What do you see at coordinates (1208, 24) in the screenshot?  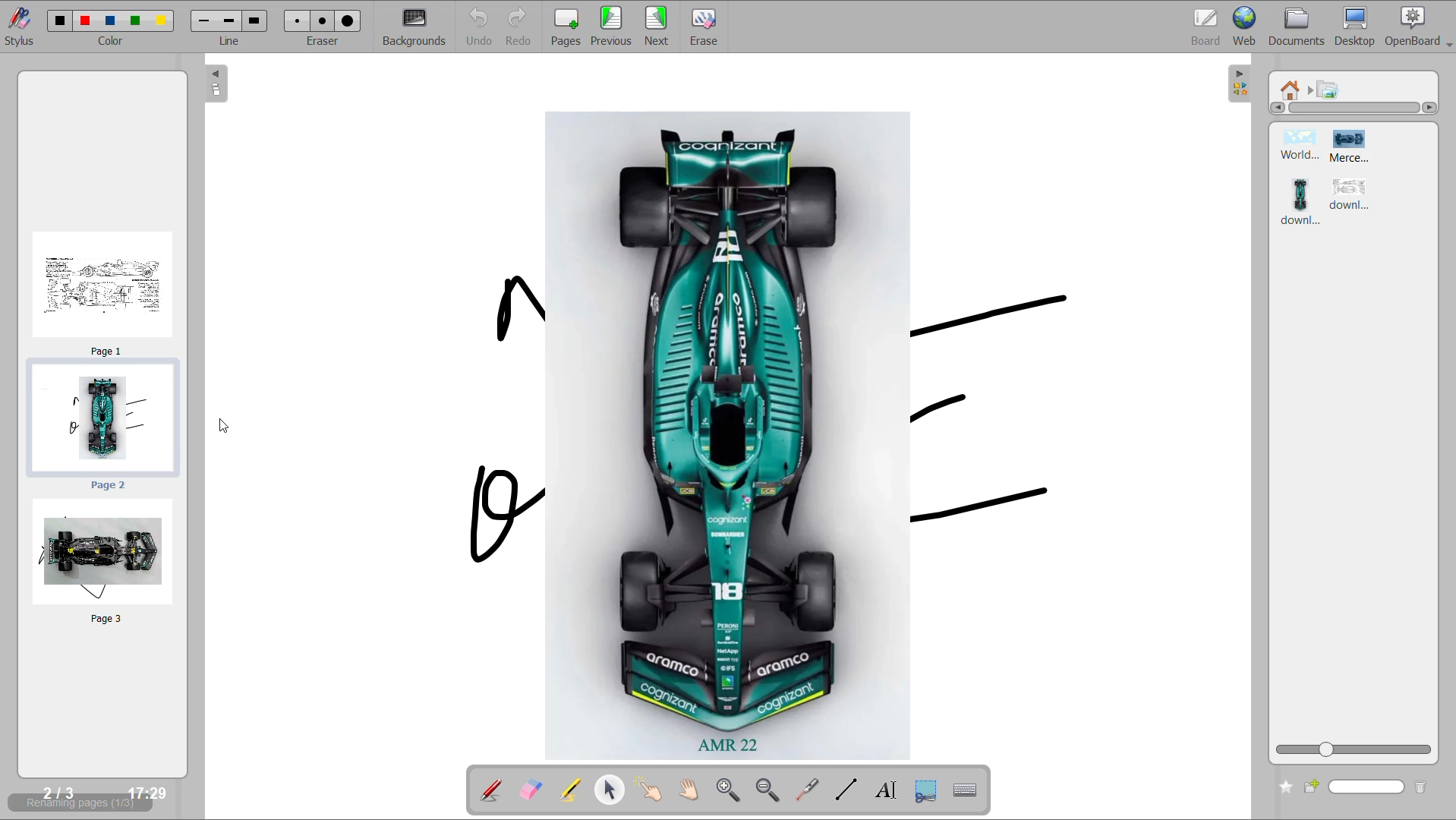 I see `board` at bounding box center [1208, 24].